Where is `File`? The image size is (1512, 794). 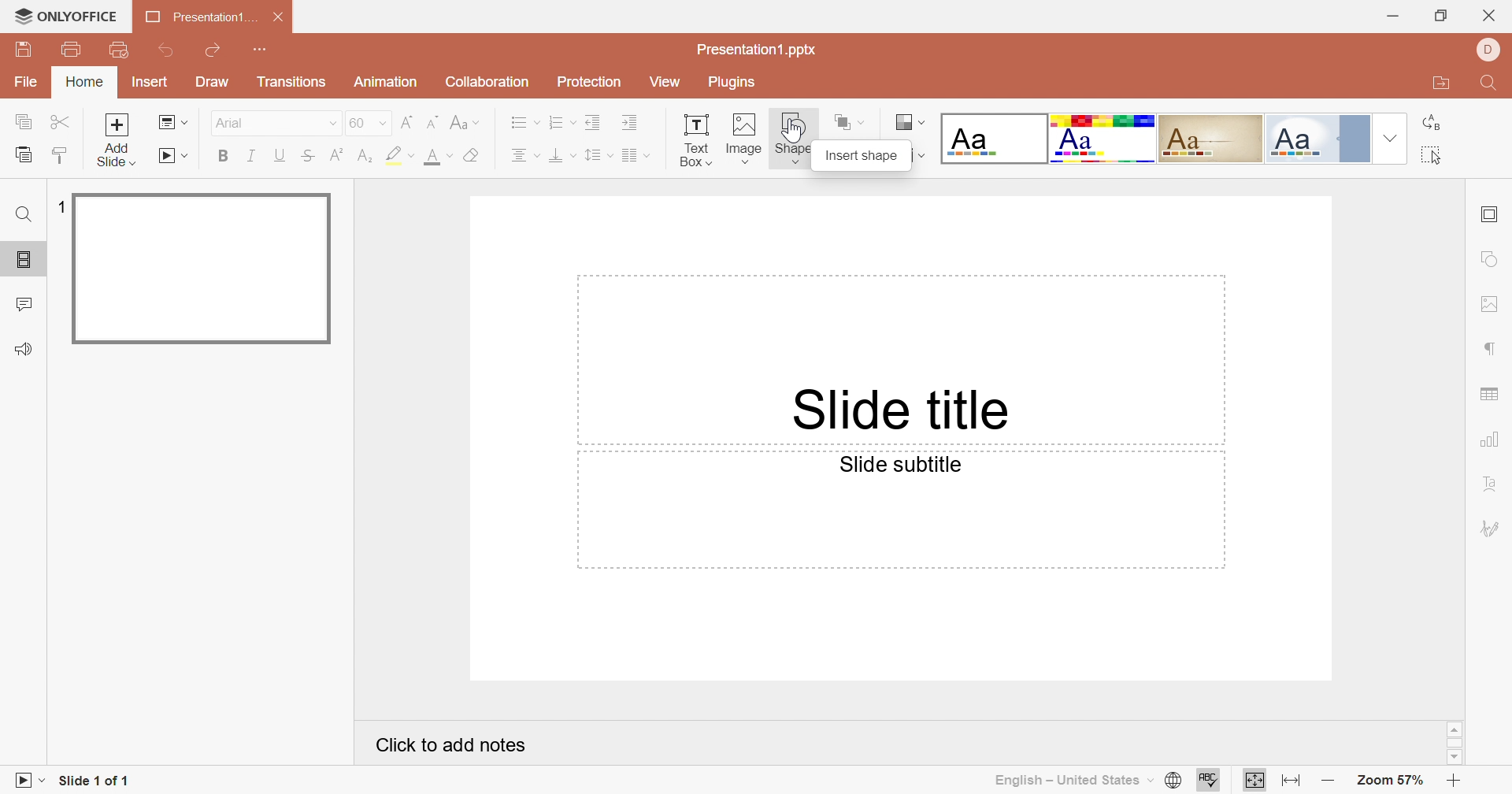
File is located at coordinates (26, 83).